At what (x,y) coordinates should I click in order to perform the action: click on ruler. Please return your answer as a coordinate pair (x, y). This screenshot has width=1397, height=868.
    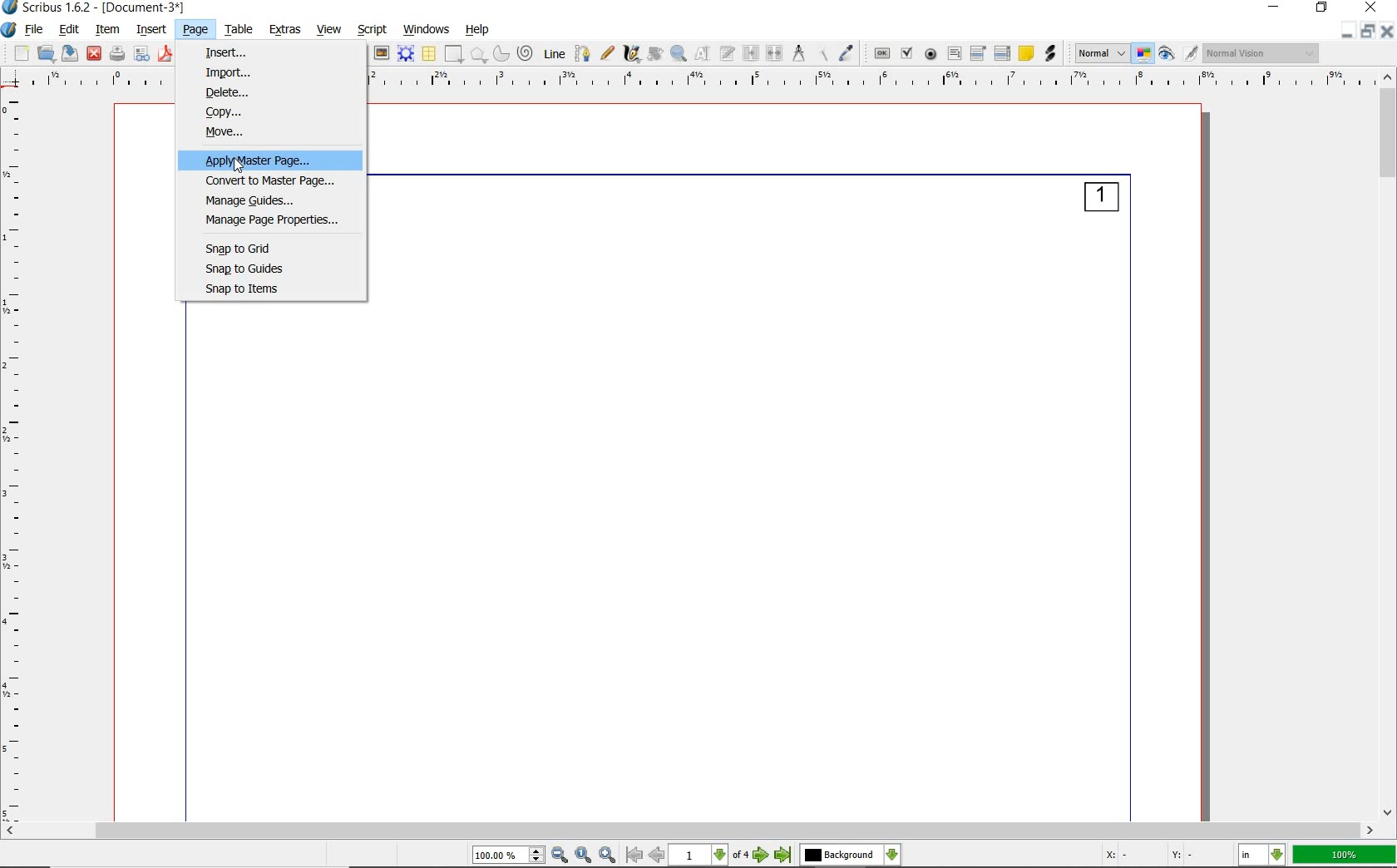
    Looking at the image, I should click on (20, 457).